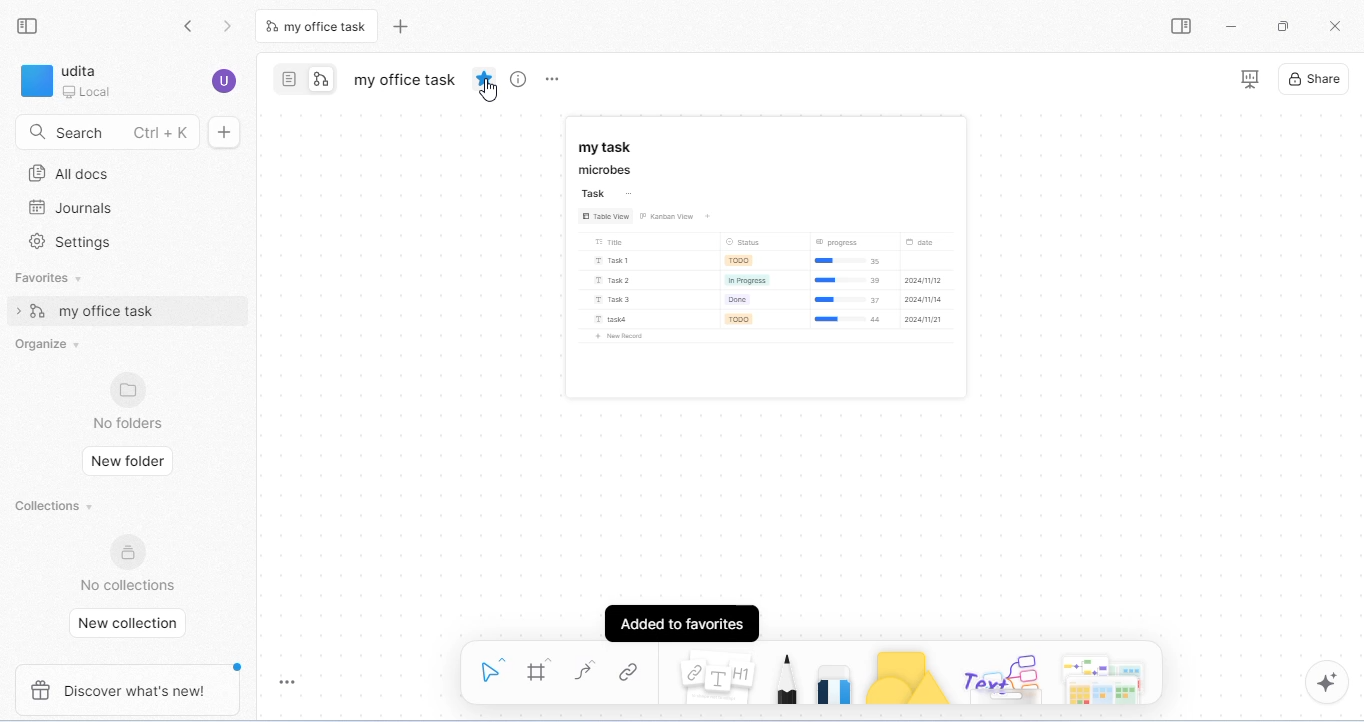  What do you see at coordinates (322, 79) in the screenshot?
I see `edgeless mode ` at bounding box center [322, 79].